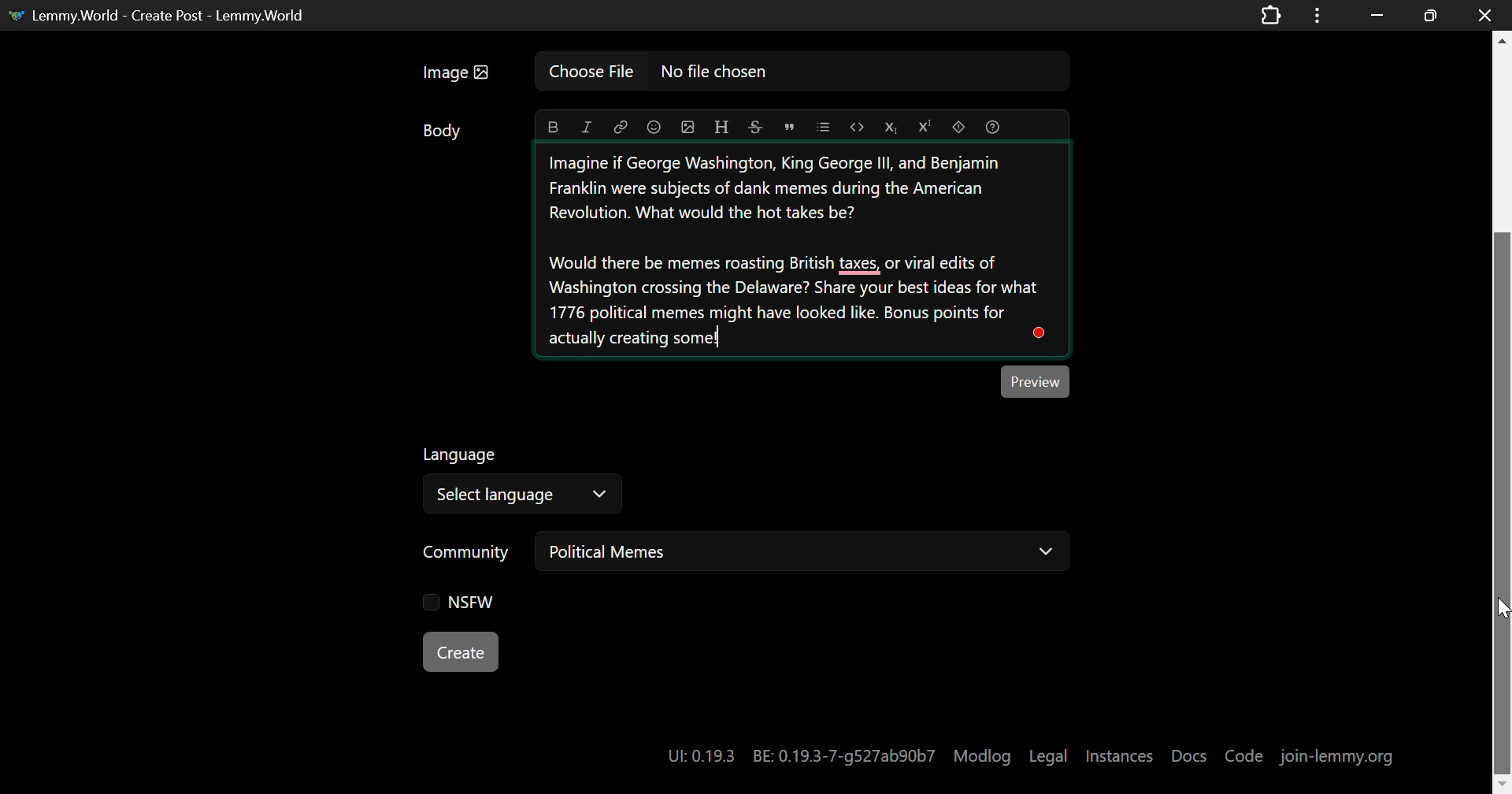 Image resolution: width=1512 pixels, height=794 pixels. Describe the element at coordinates (586, 127) in the screenshot. I see `Italic` at that location.